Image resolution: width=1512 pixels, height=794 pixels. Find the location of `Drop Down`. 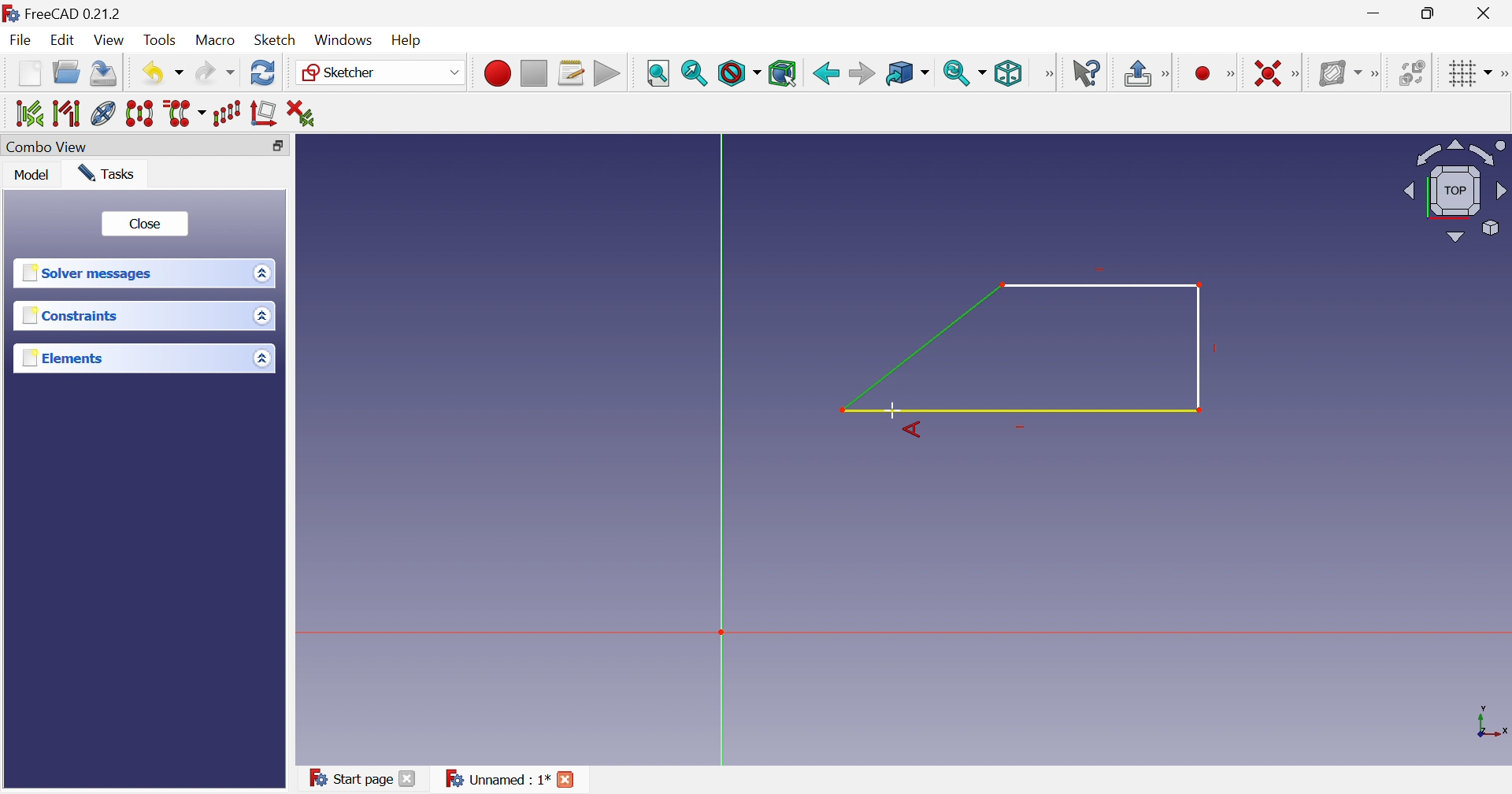

Drop Down is located at coordinates (263, 317).